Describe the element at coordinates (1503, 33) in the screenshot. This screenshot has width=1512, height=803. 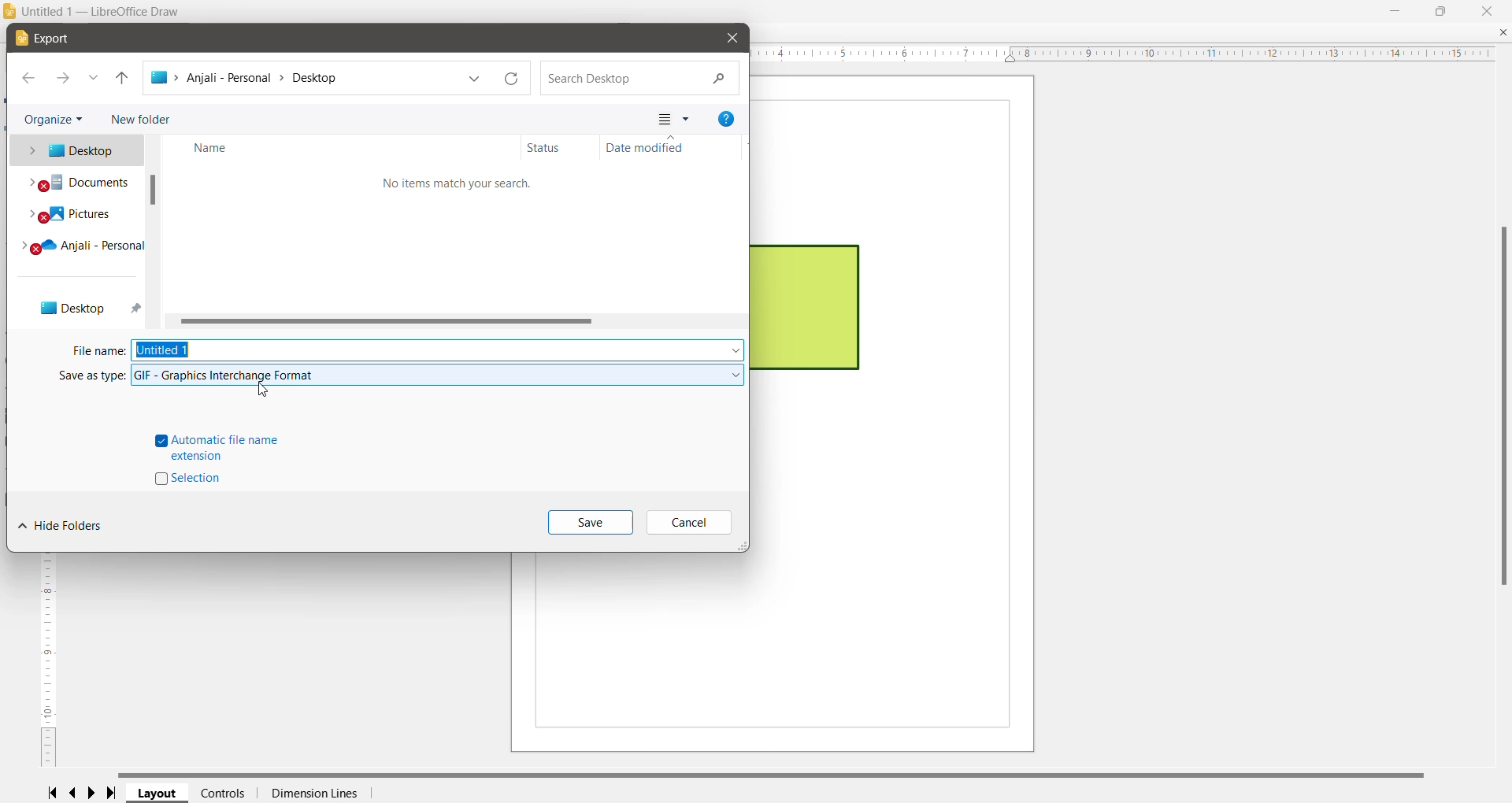
I see `Close Document` at that location.